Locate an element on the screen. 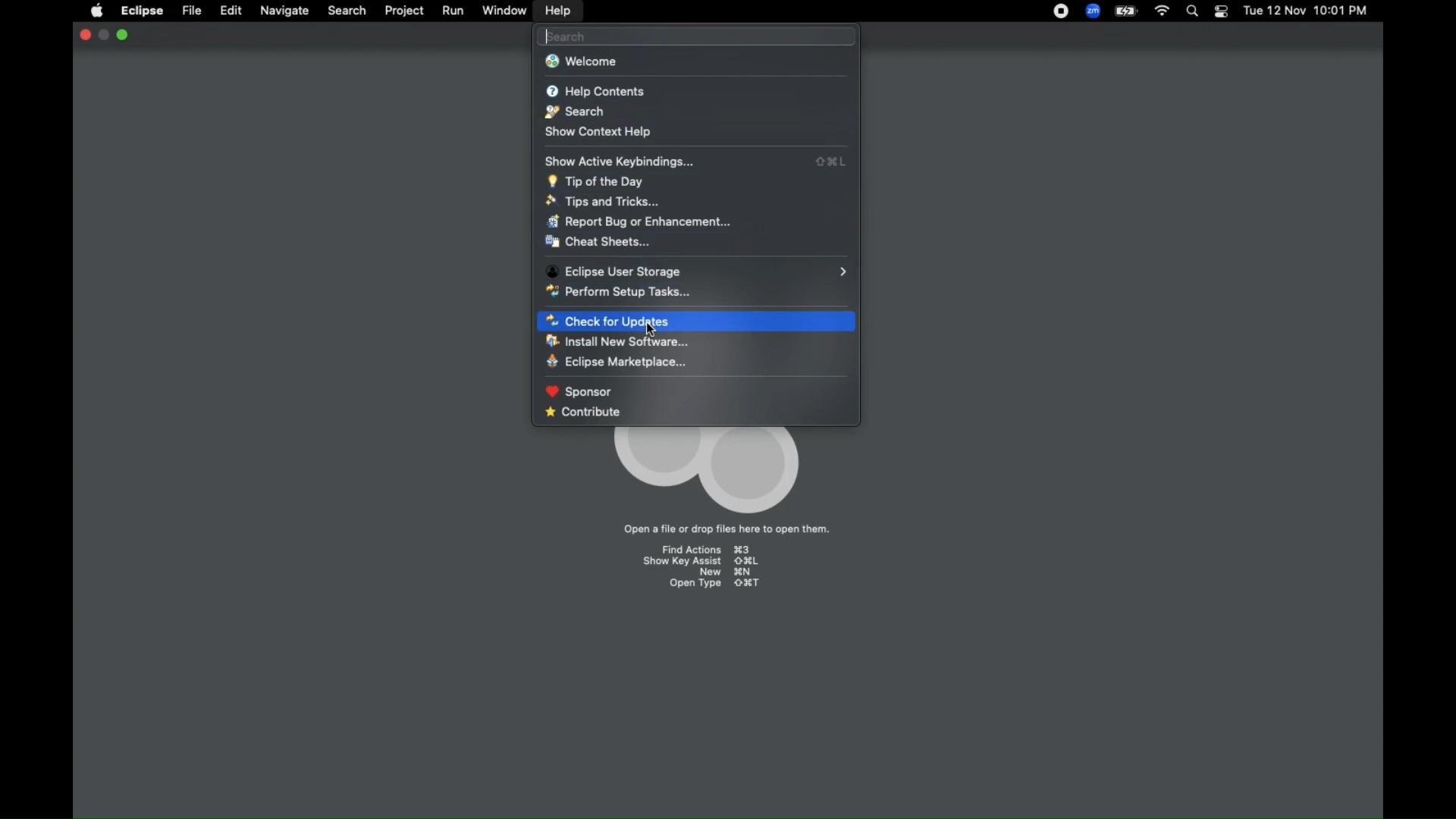 The height and width of the screenshot is (819, 1456). Cursor is located at coordinates (652, 331).